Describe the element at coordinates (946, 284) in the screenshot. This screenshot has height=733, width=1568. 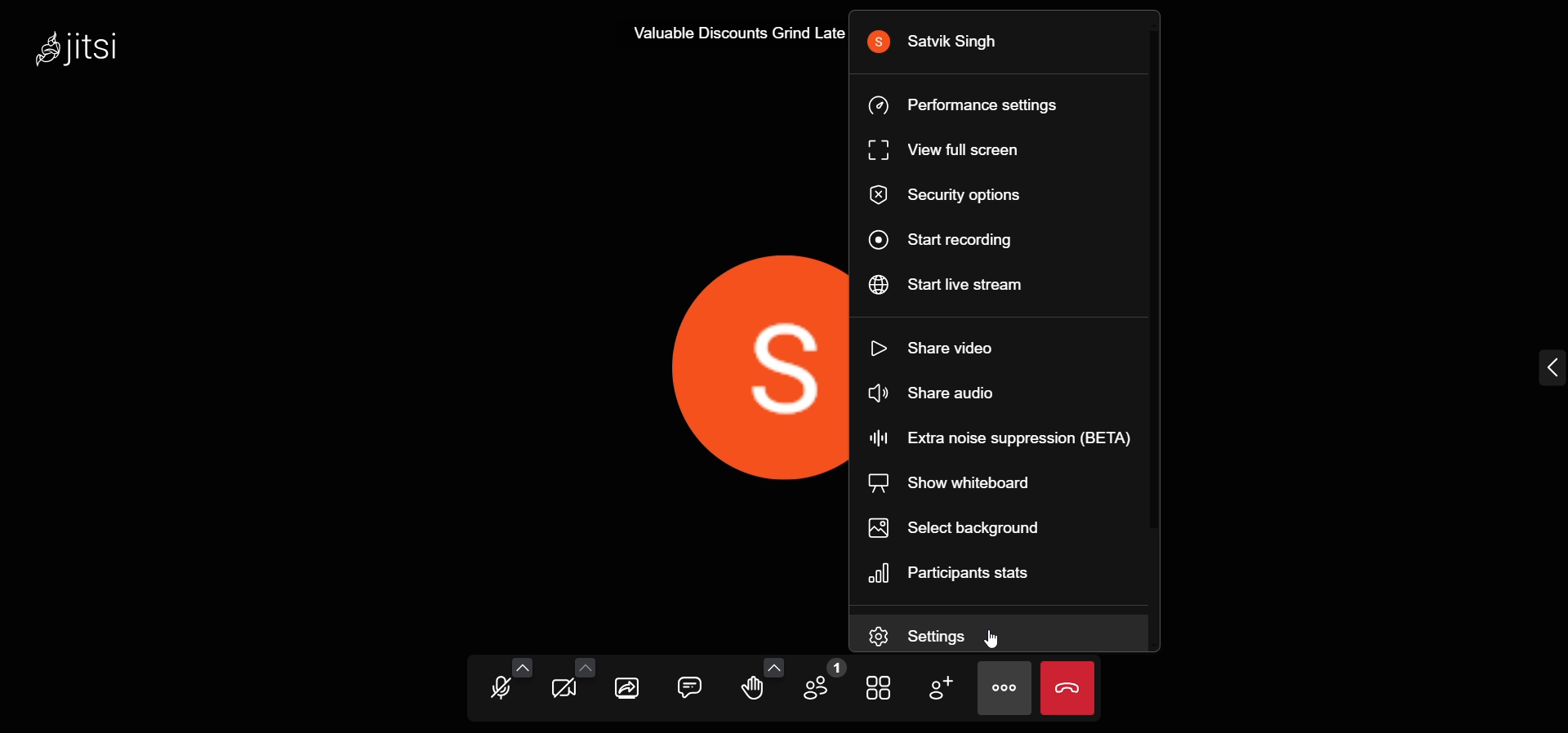
I see `start live stream` at that location.